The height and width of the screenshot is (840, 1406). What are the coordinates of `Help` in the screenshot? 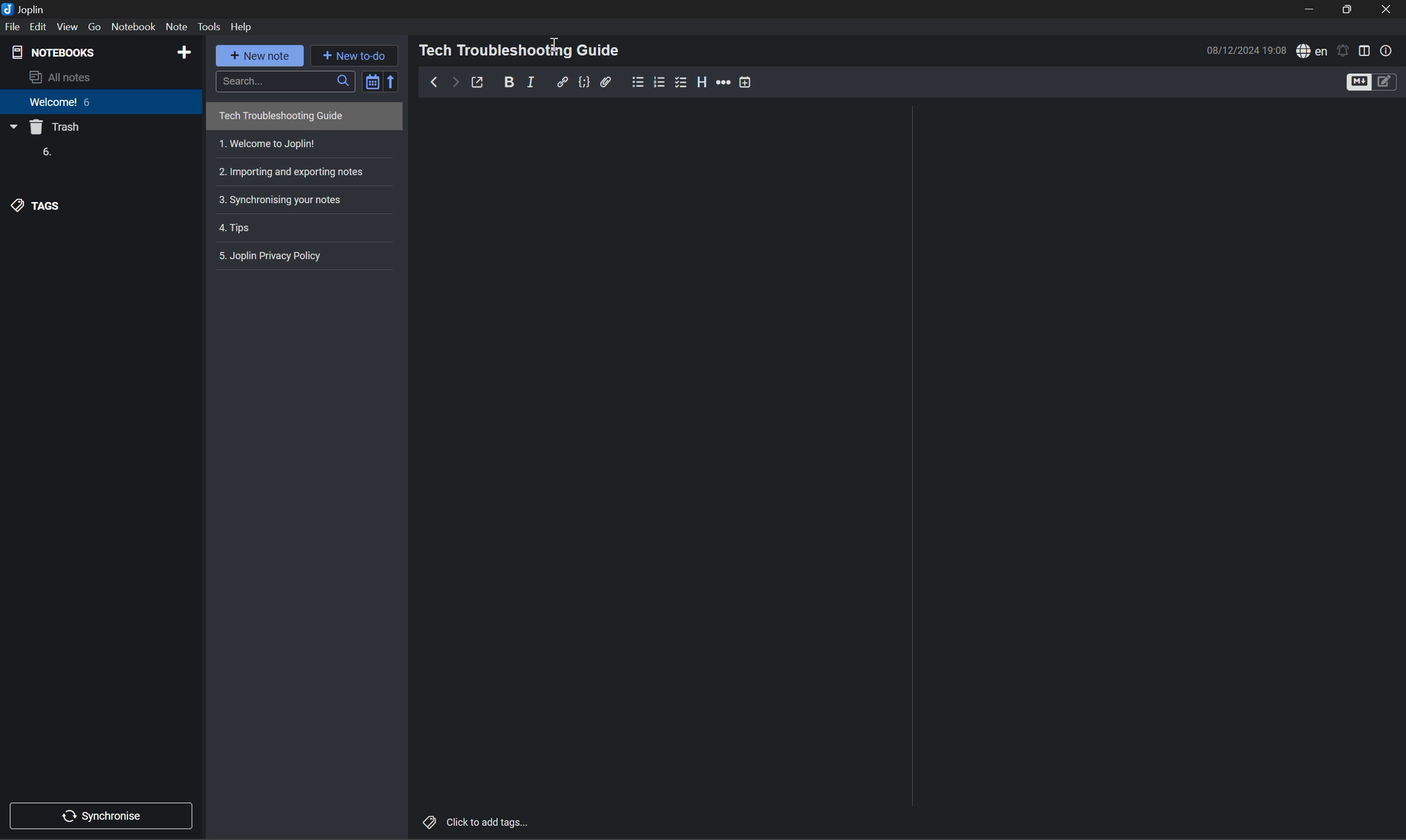 It's located at (246, 27).